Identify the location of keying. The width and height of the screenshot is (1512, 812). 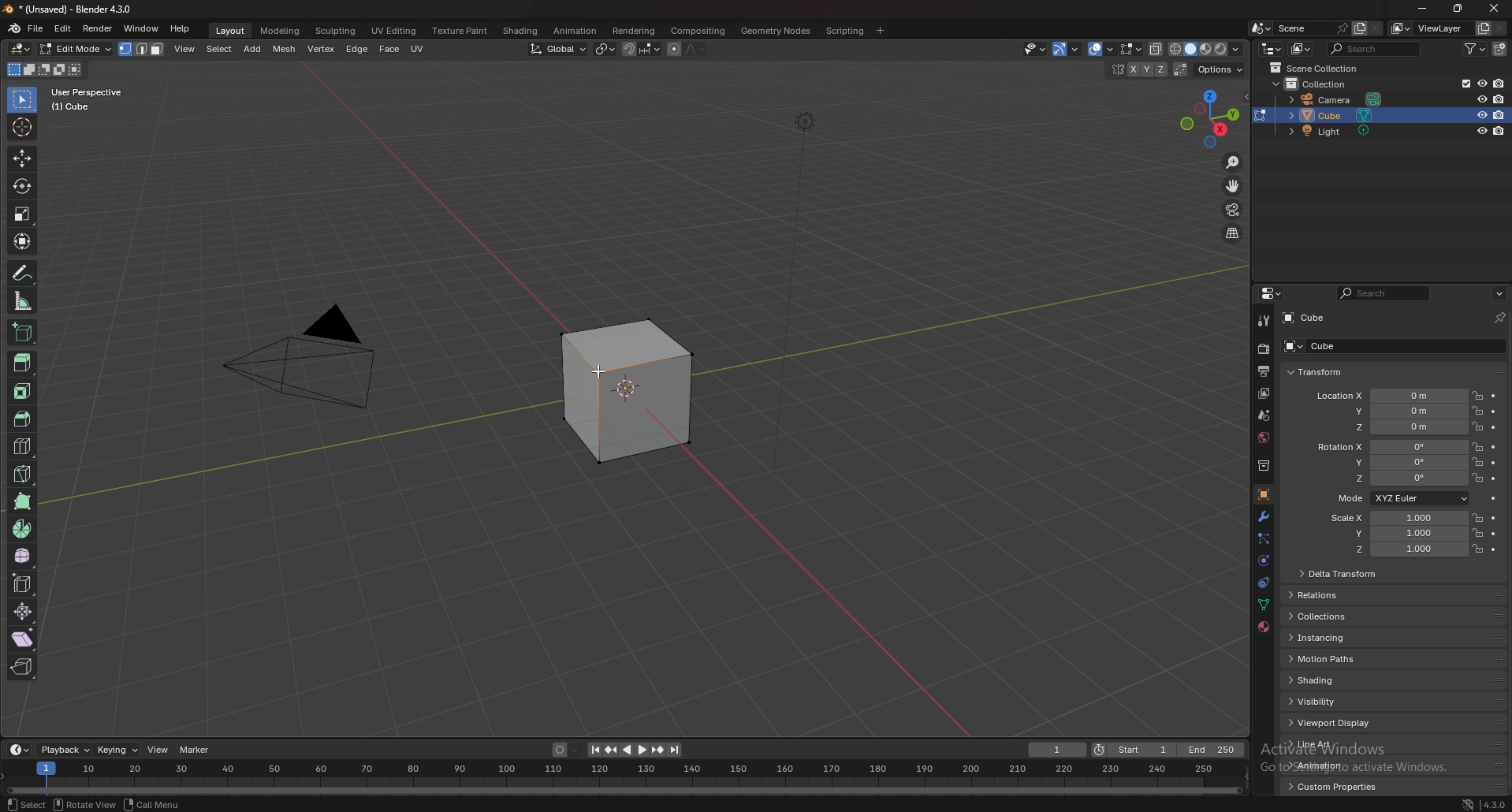
(117, 750).